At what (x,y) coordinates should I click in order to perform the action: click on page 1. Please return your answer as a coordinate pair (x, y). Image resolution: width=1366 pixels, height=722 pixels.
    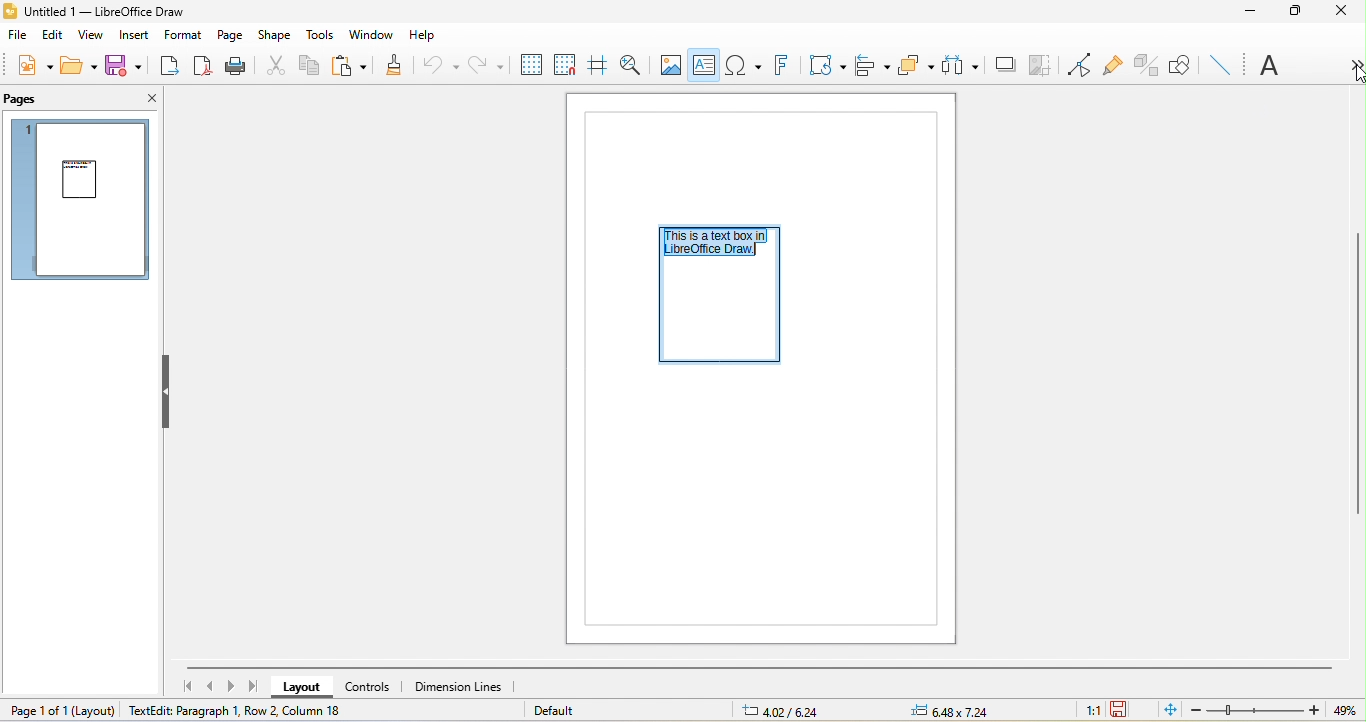
    Looking at the image, I should click on (84, 202).